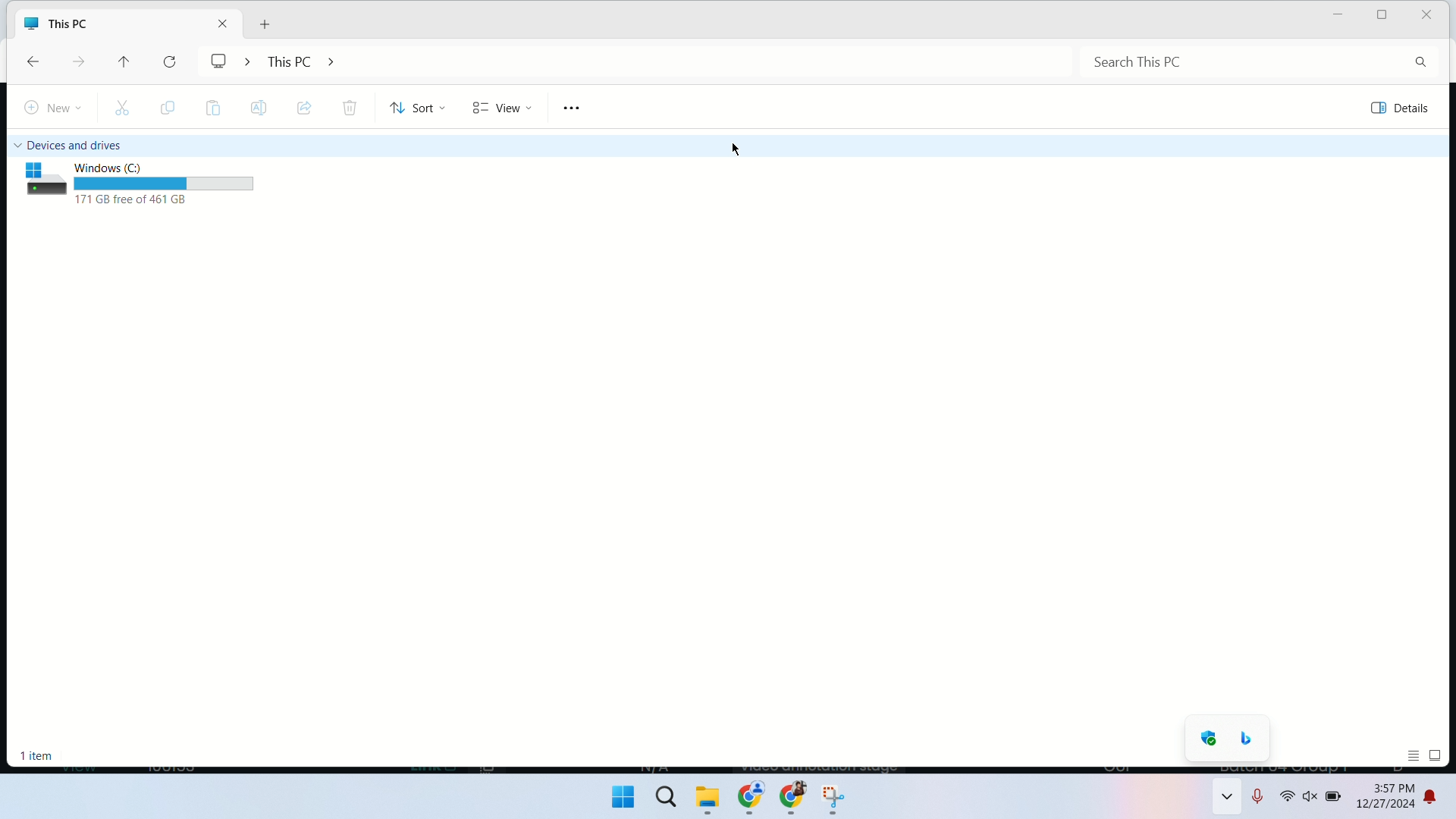  I want to click on forward, so click(84, 61).